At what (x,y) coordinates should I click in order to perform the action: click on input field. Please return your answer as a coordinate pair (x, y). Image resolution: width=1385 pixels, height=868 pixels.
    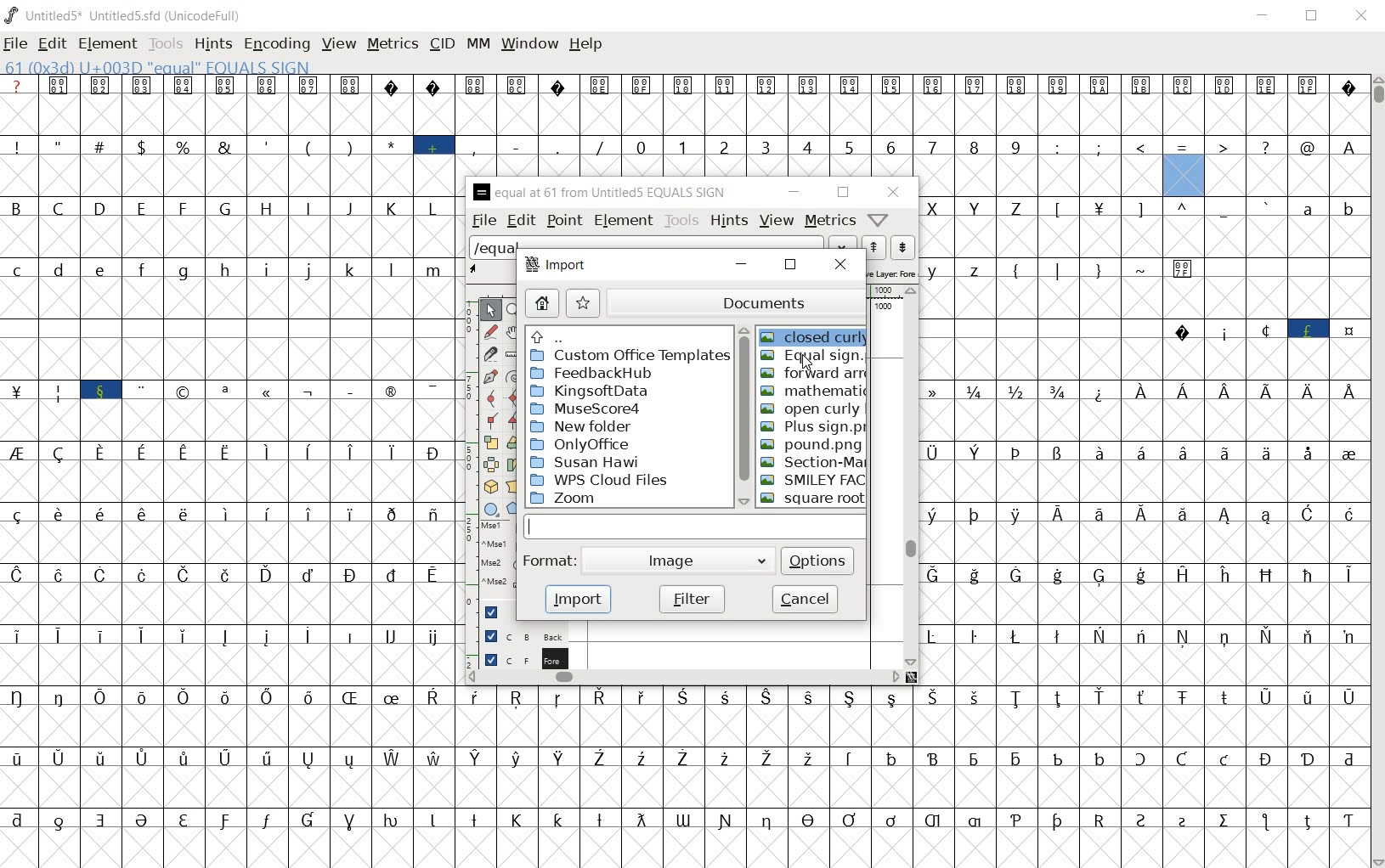
    Looking at the image, I should click on (695, 527).